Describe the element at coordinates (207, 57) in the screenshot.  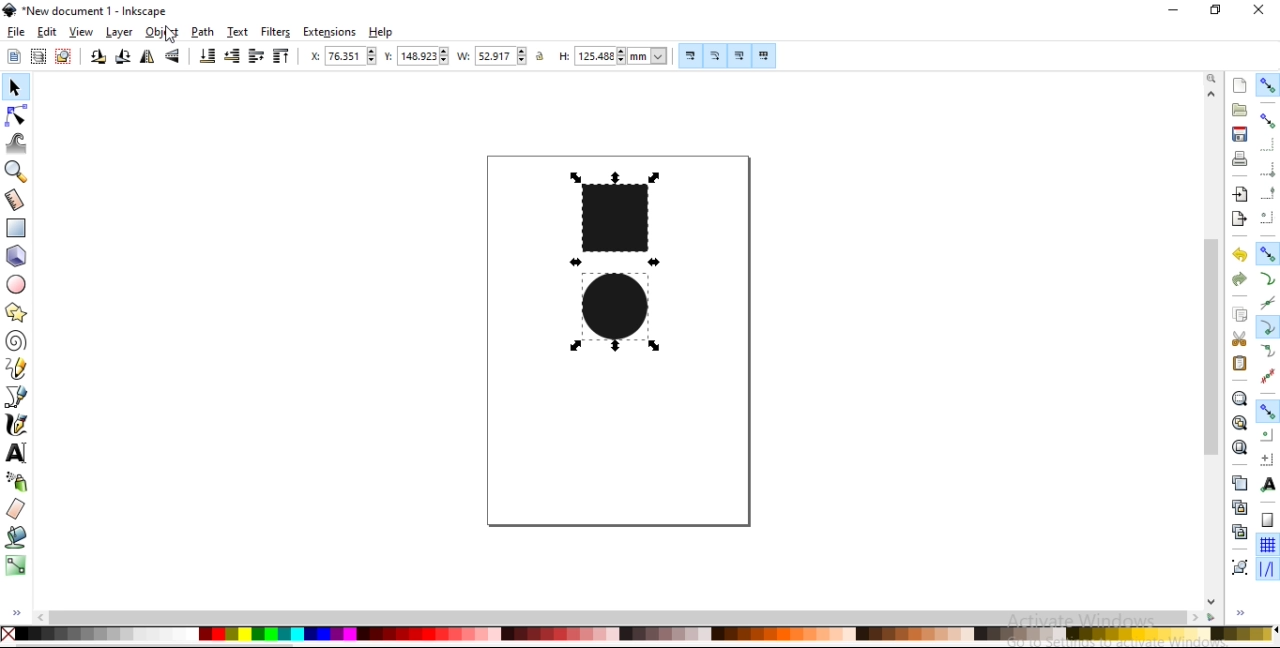
I see `lower selection to bottom` at that location.